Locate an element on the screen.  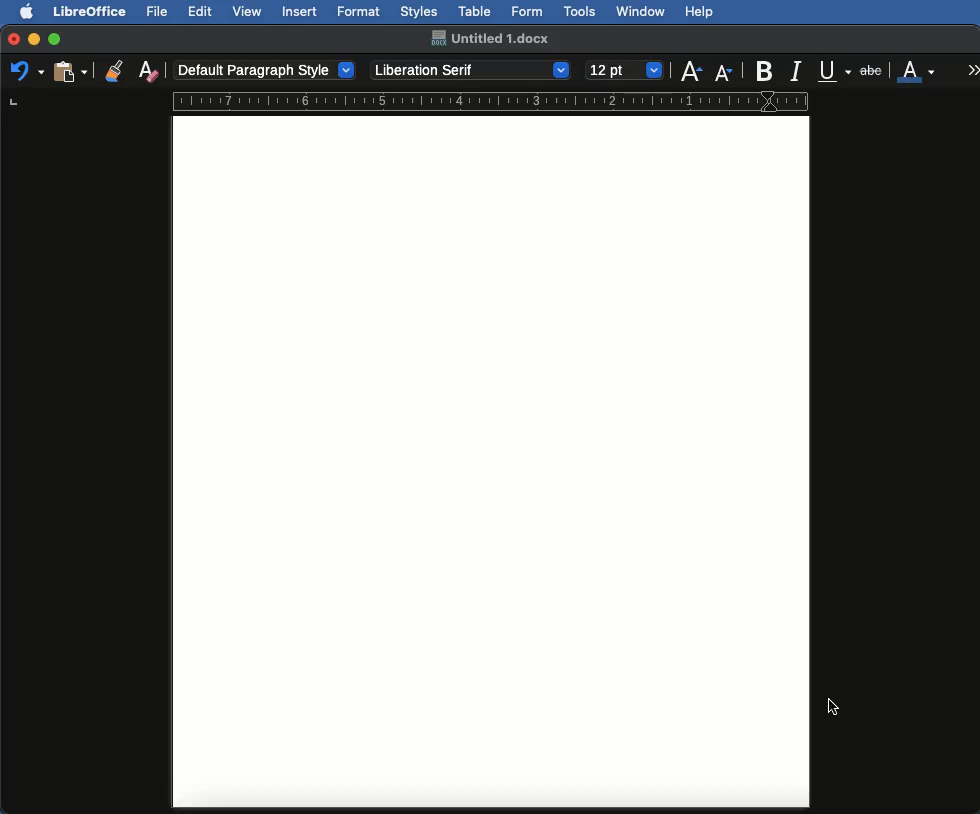
Size is located at coordinates (626, 71).